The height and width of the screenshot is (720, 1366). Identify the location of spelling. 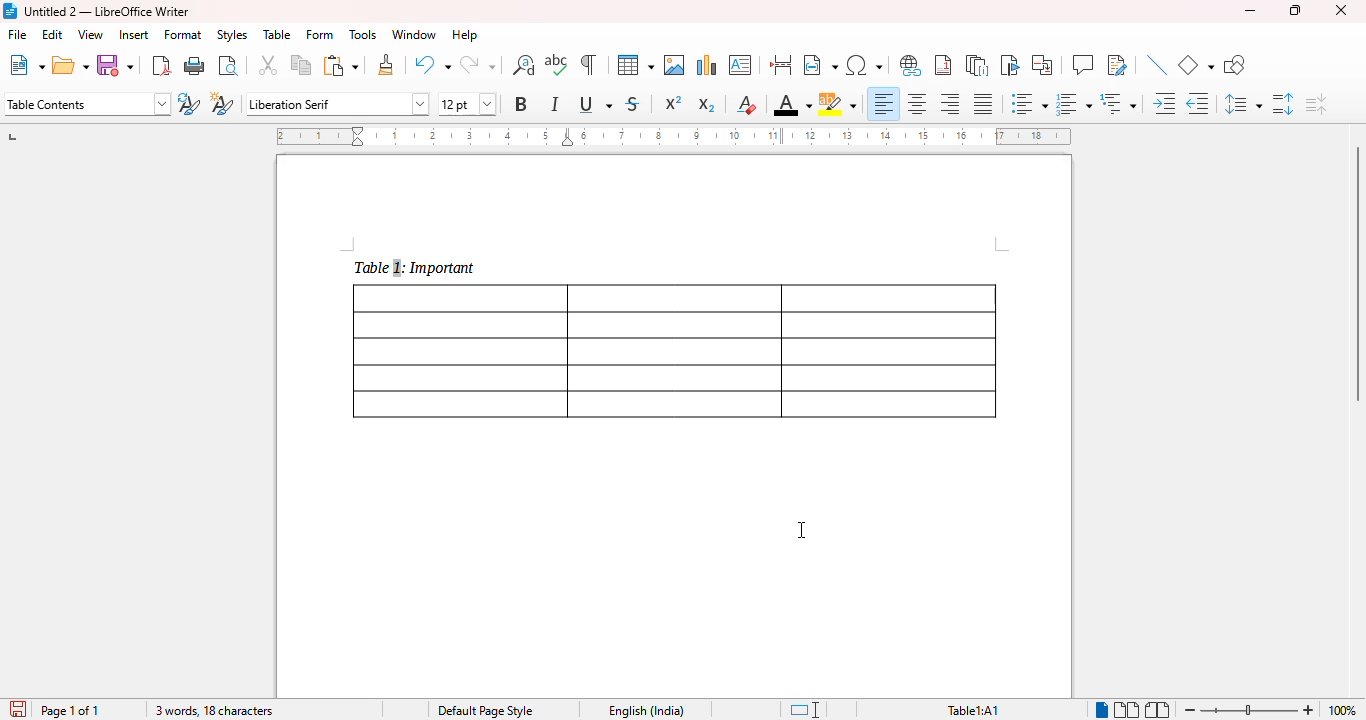
(556, 64).